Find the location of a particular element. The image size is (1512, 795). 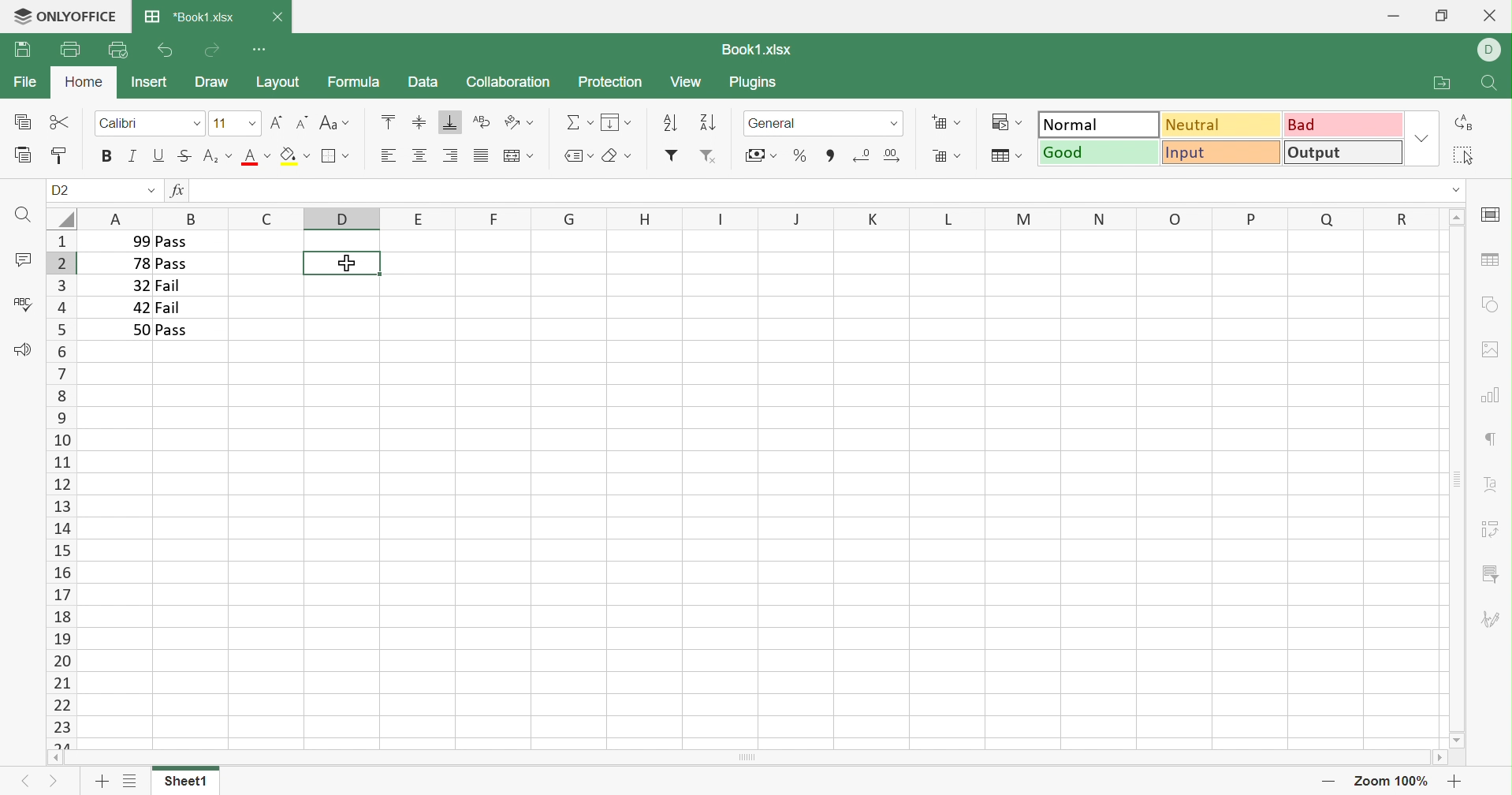

Data is located at coordinates (421, 80).